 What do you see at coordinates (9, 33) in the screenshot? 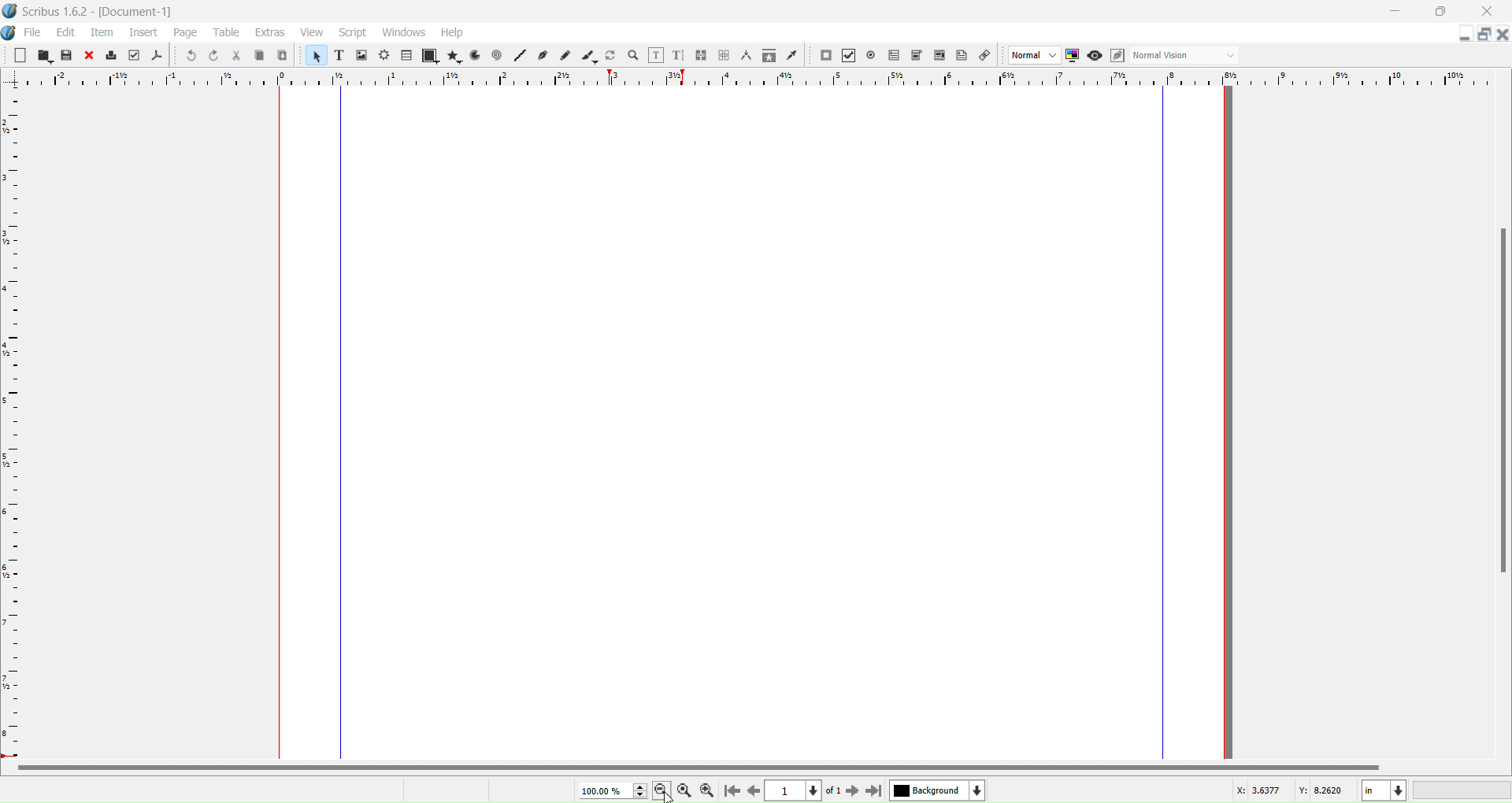
I see `Document Options` at bounding box center [9, 33].